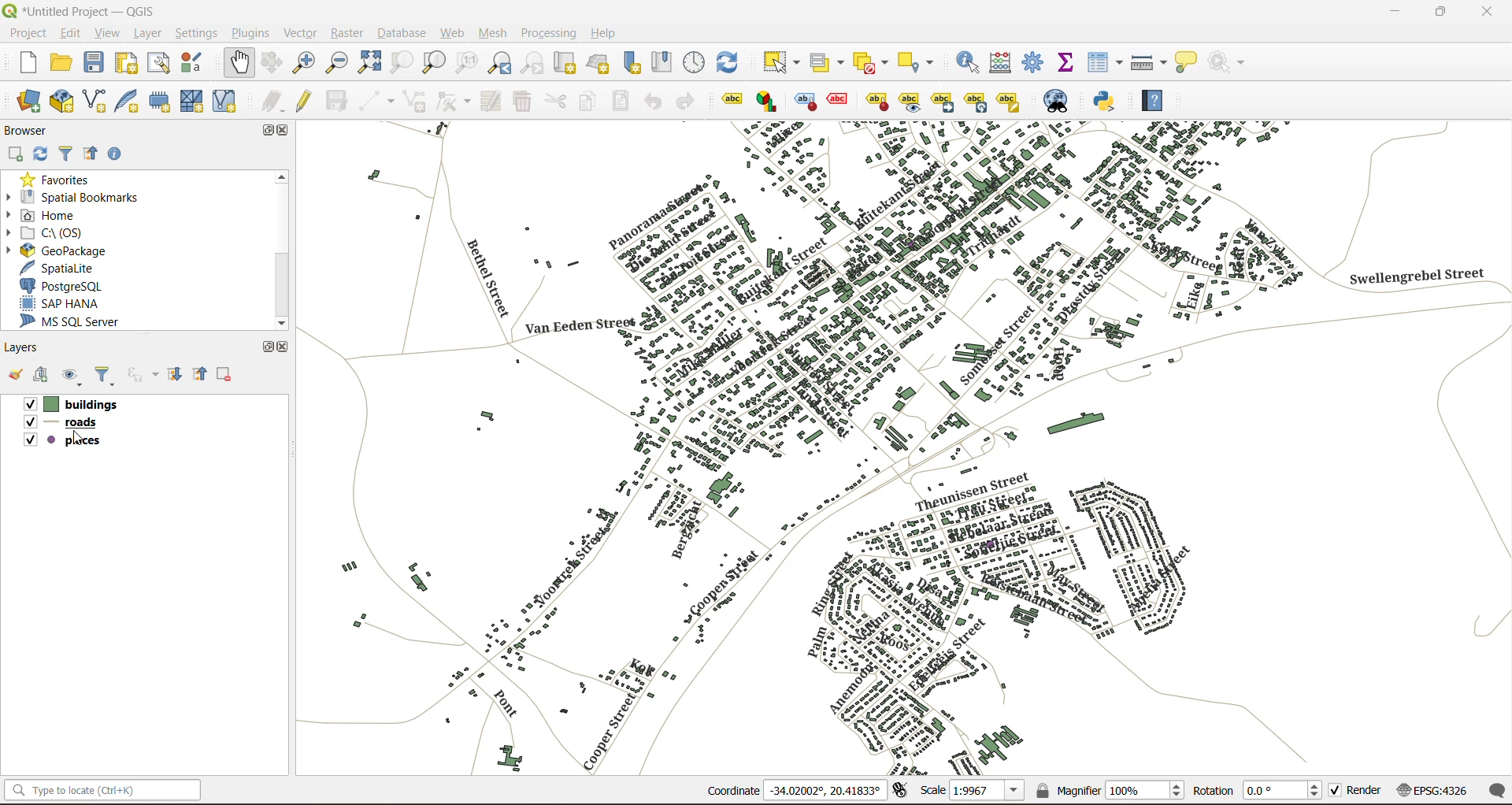  I want to click on zoom native, so click(464, 62).